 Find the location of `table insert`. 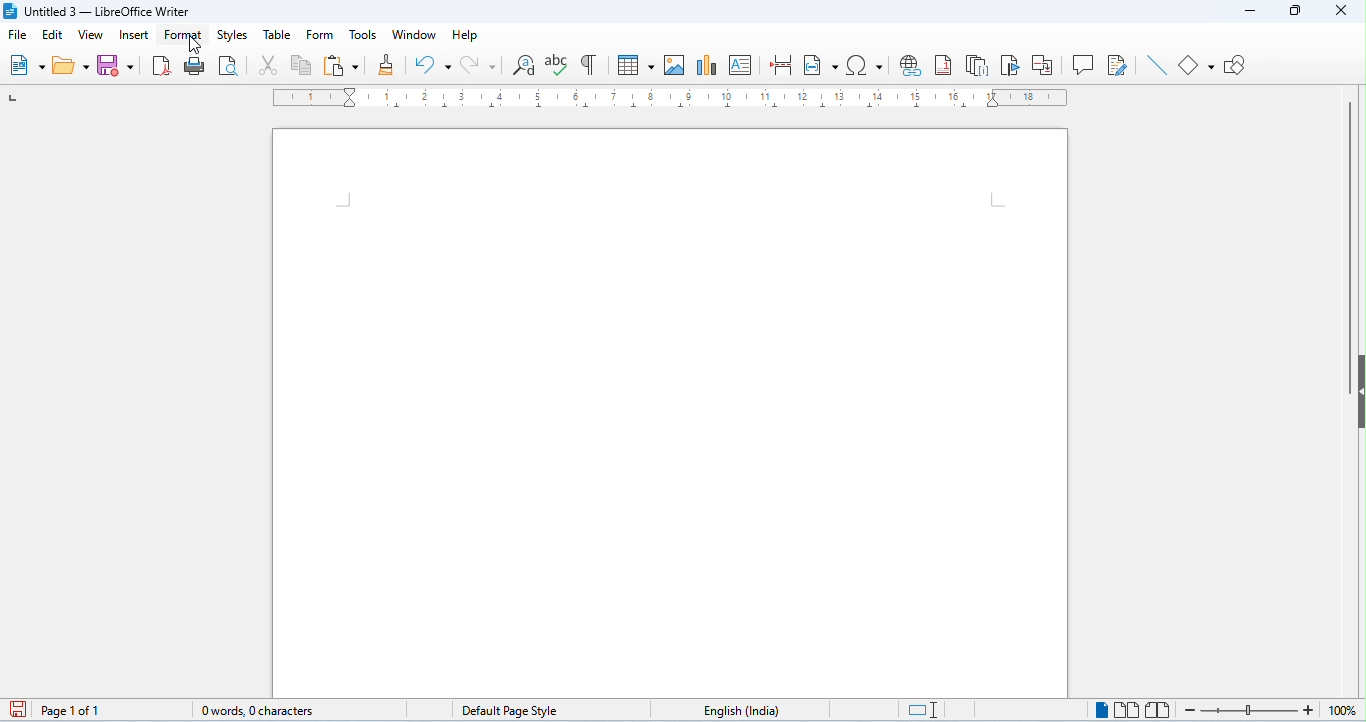

table insert is located at coordinates (633, 62).